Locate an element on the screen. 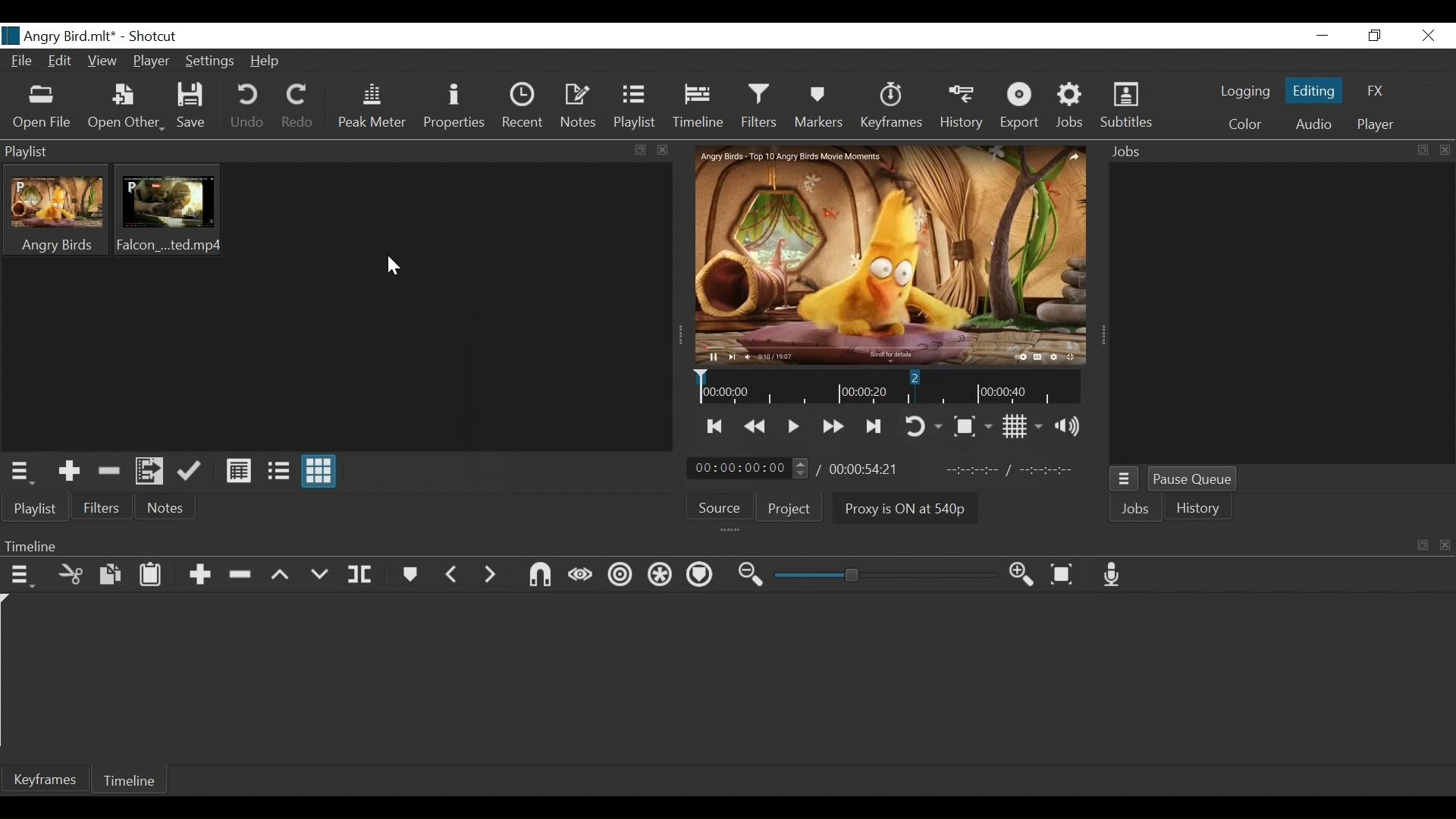 This screenshot has height=819, width=1456. Jobs Panel is located at coordinates (1282, 315).